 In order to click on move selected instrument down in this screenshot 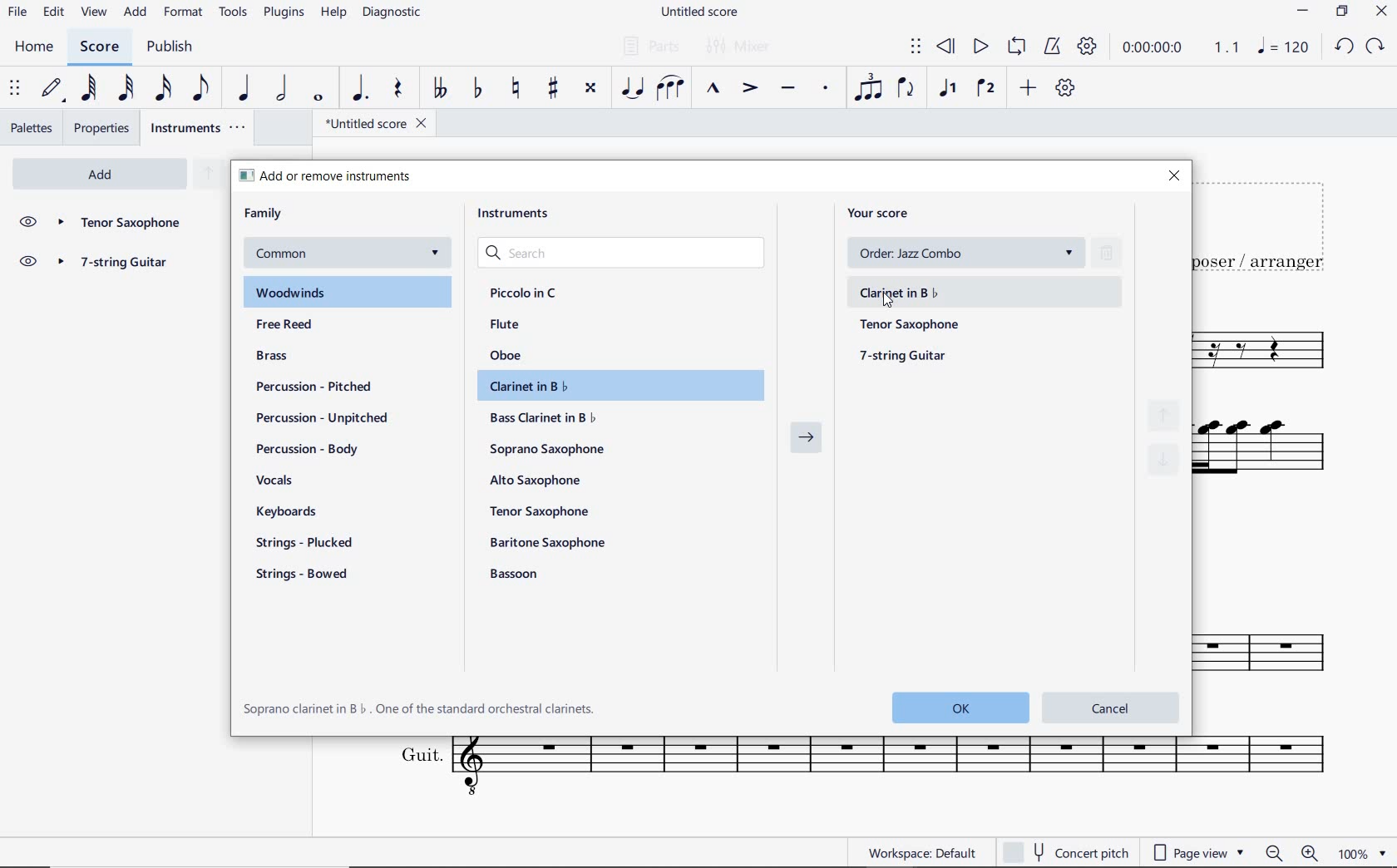, I will do `click(1167, 460)`.